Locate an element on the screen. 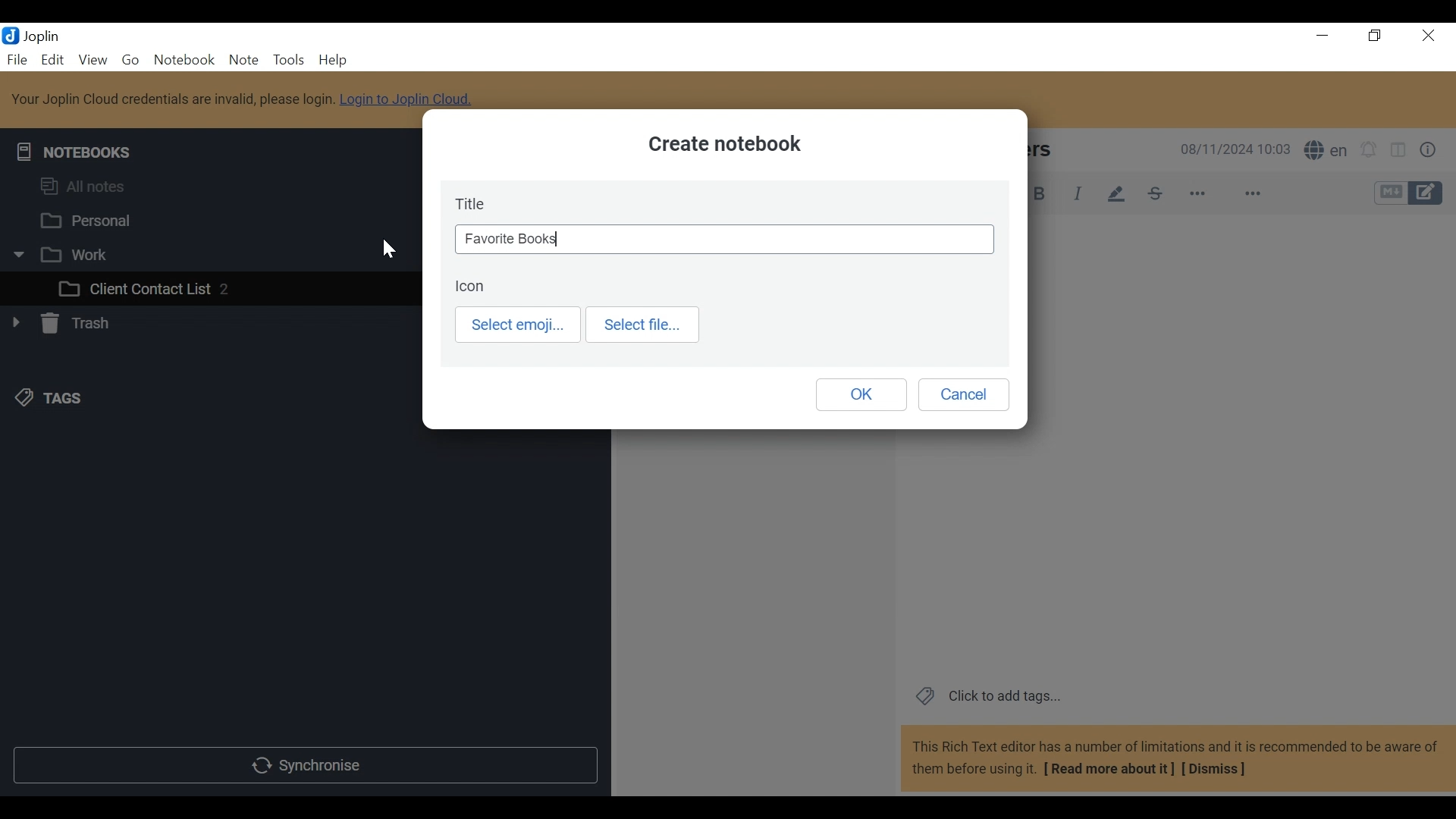 This screenshot has width=1456, height=819. Note is located at coordinates (242, 60).